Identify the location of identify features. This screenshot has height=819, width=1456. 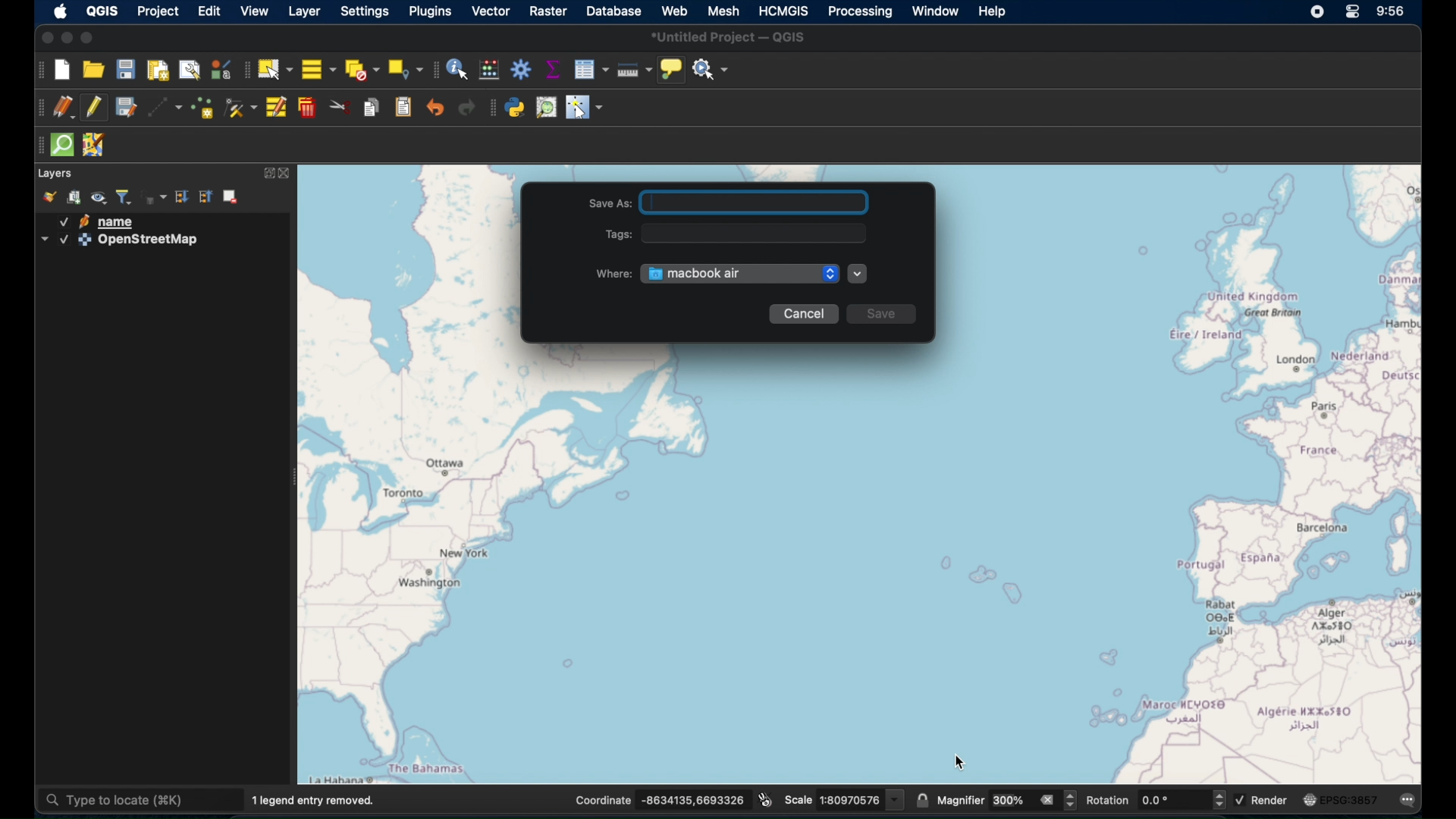
(459, 70).